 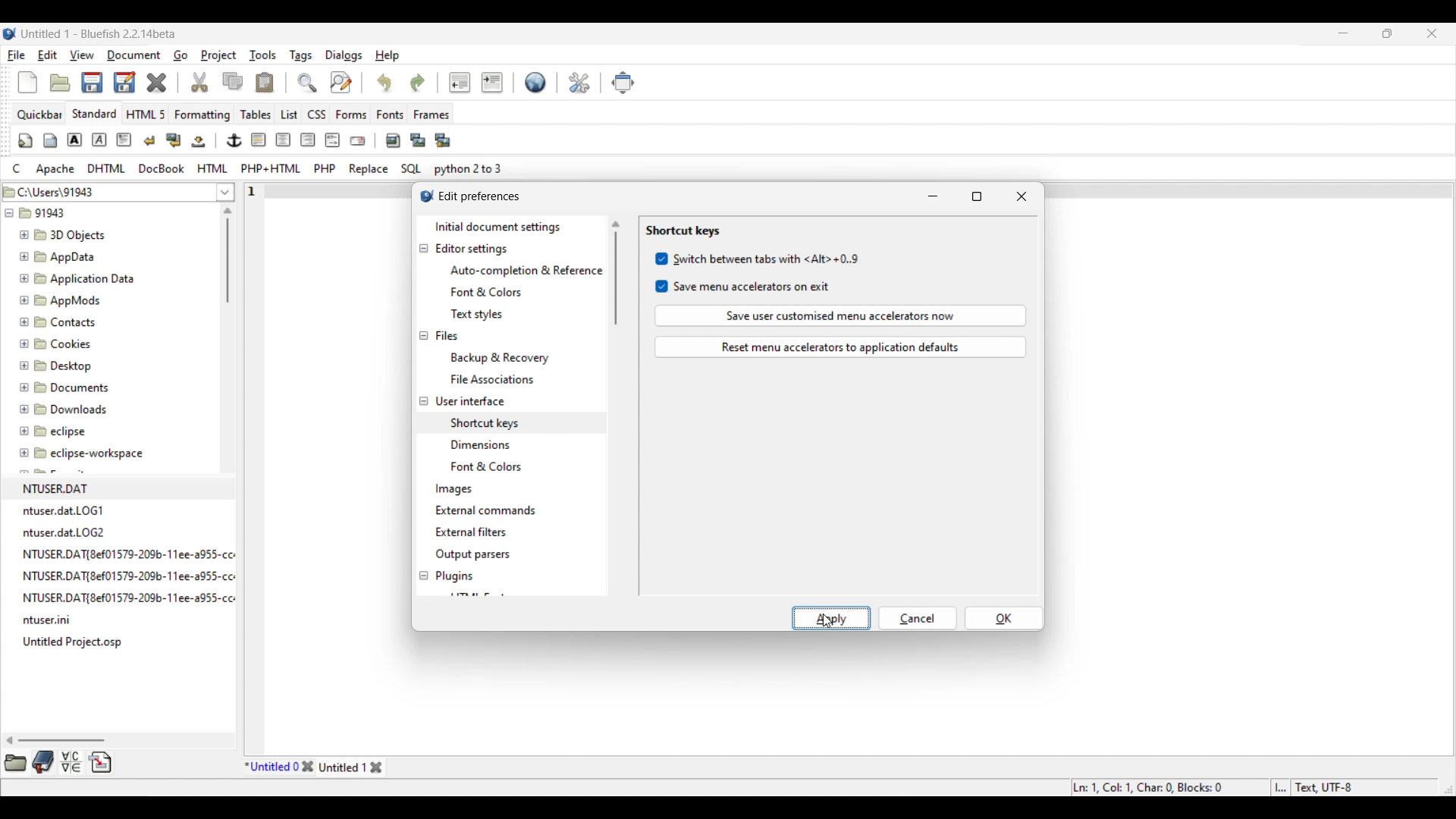 What do you see at coordinates (476, 314) in the screenshot?
I see `Text styles` at bounding box center [476, 314].